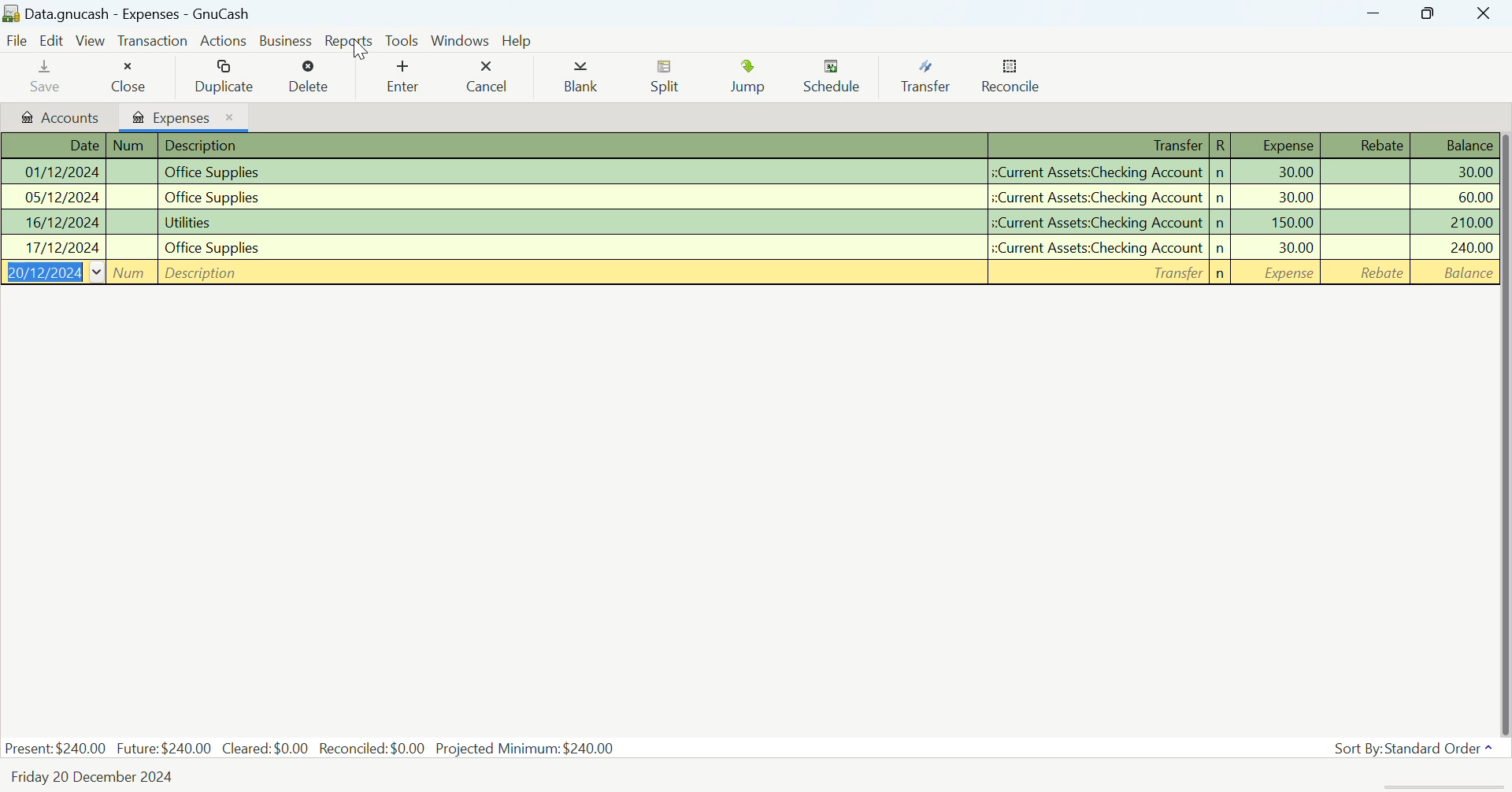 Image resolution: width=1512 pixels, height=792 pixels. Describe the element at coordinates (265, 749) in the screenshot. I see `Cleared` at that location.